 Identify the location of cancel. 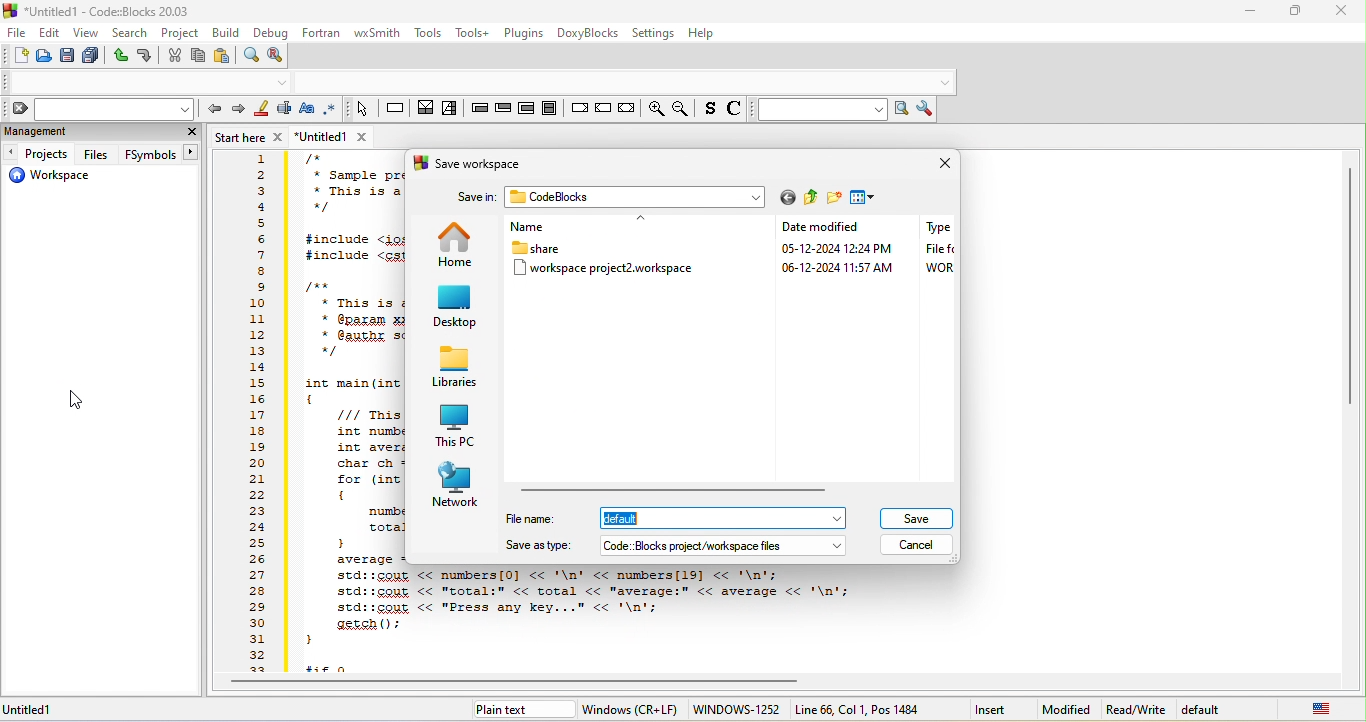
(918, 545).